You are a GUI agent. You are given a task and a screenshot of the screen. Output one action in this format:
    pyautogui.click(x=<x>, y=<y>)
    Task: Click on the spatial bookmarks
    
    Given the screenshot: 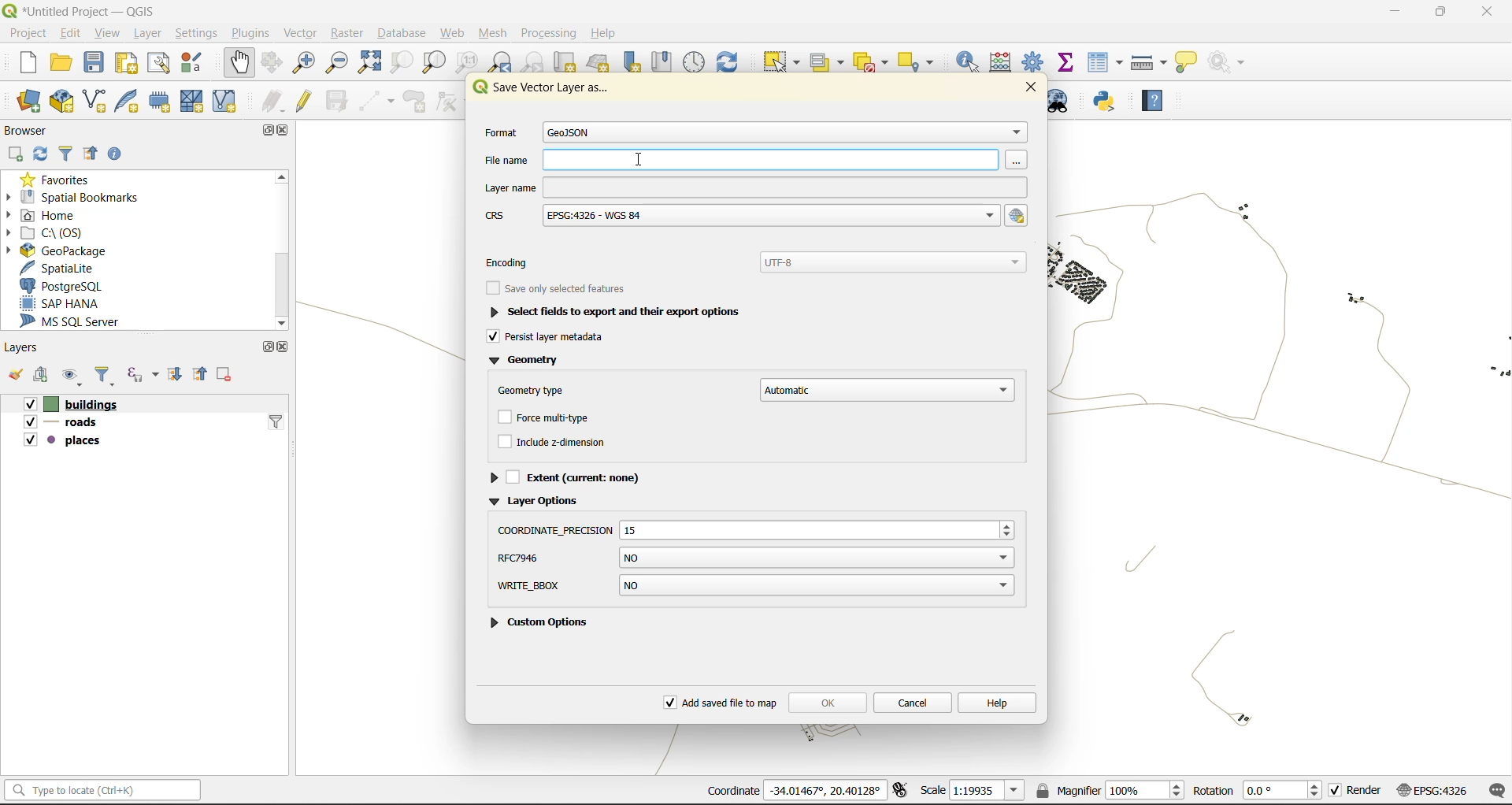 What is the action you would take?
    pyautogui.click(x=81, y=198)
    